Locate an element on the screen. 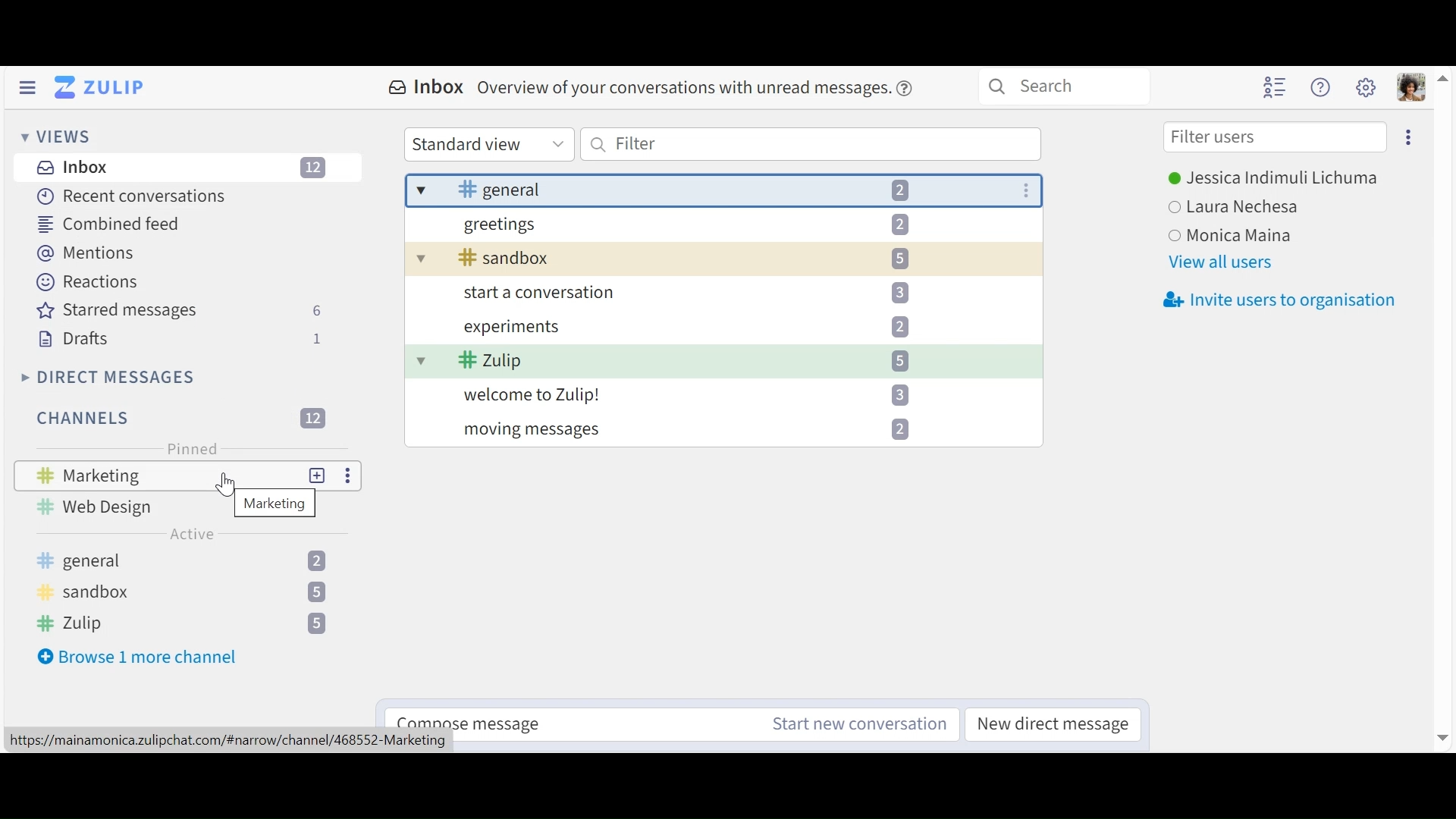 Image resolution: width=1456 pixels, height=819 pixels.  Zulip is located at coordinates (695, 362).